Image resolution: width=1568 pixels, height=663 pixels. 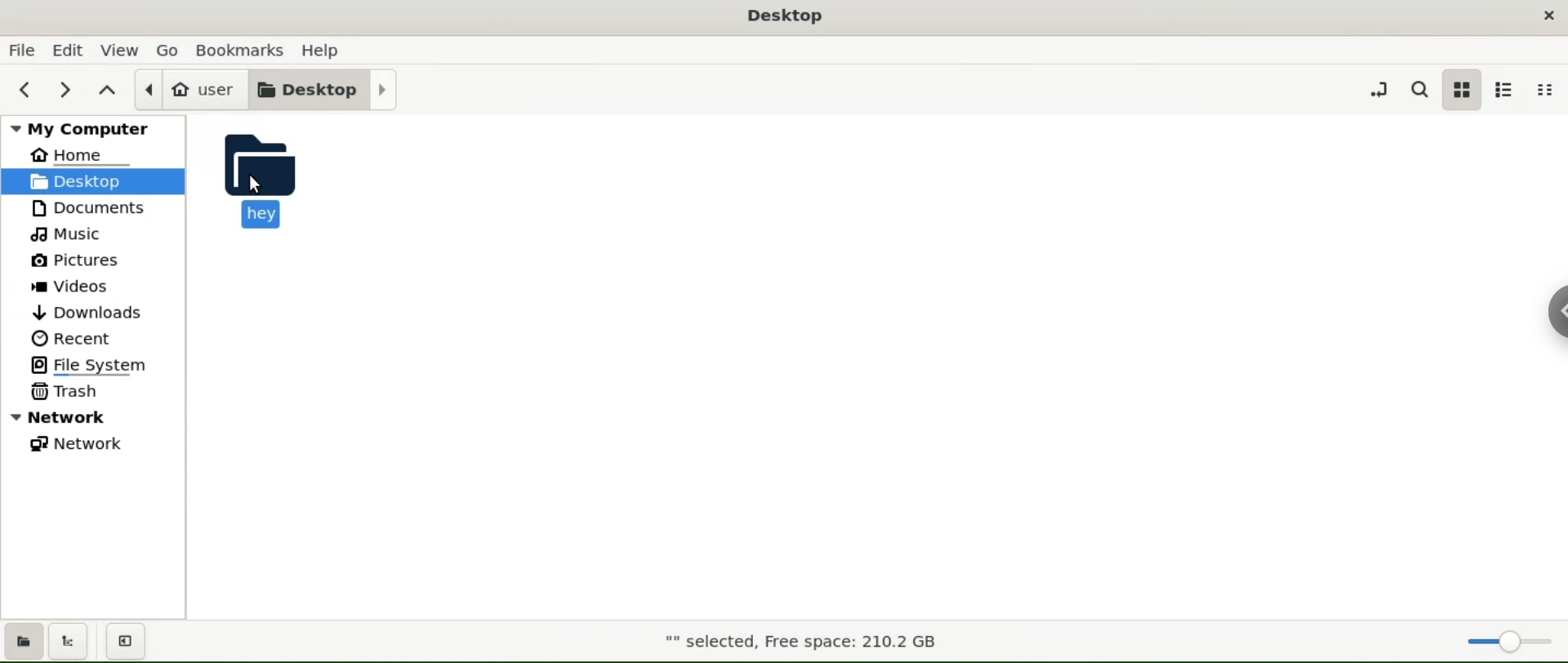 What do you see at coordinates (172, 51) in the screenshot?
I see `go` at bounding box center [172, 51].